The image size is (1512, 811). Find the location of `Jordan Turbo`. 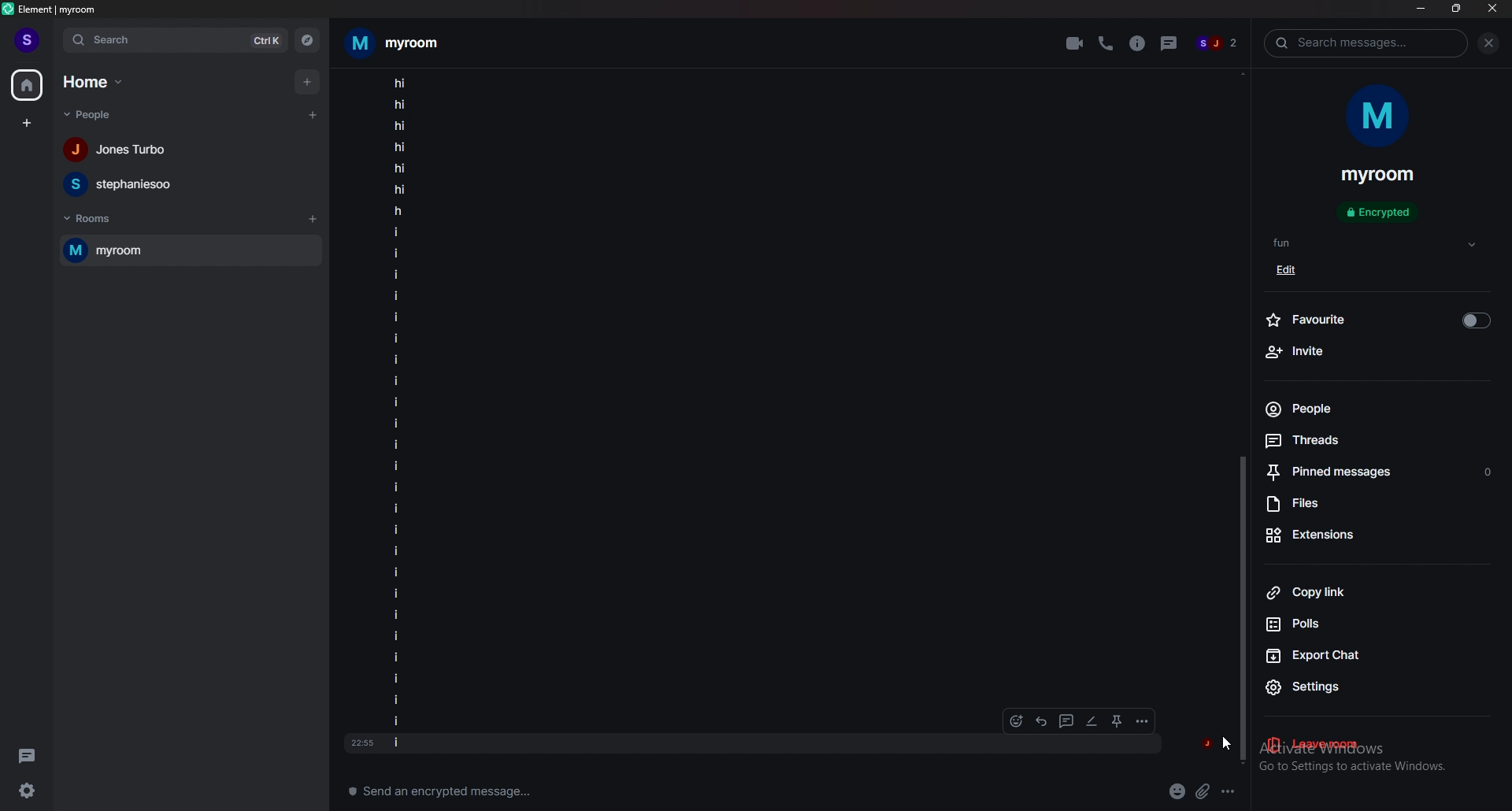

Jordan Turbo is located at coordinates (185, 151).